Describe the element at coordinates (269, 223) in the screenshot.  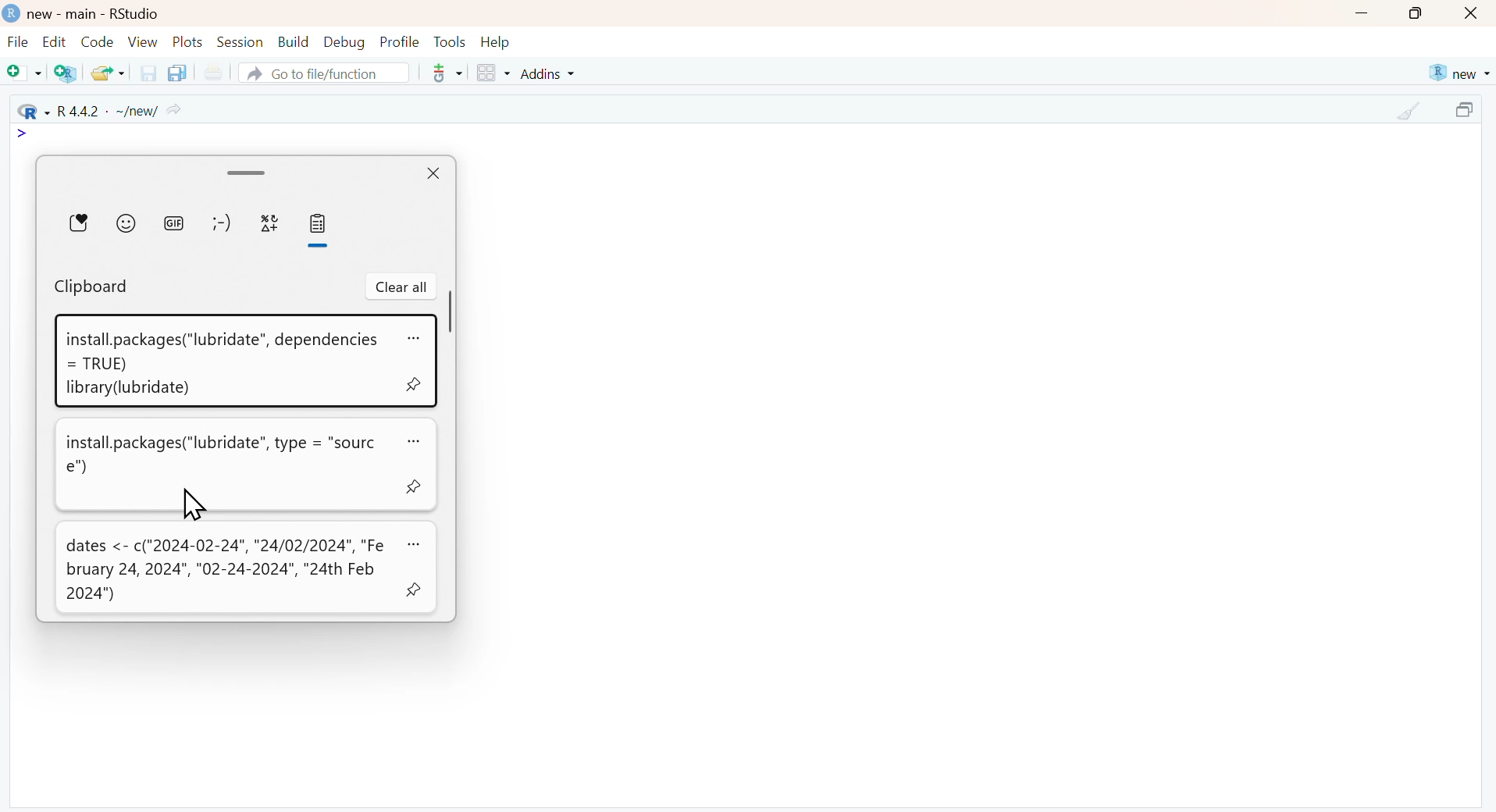
I see `special characters` at that location.